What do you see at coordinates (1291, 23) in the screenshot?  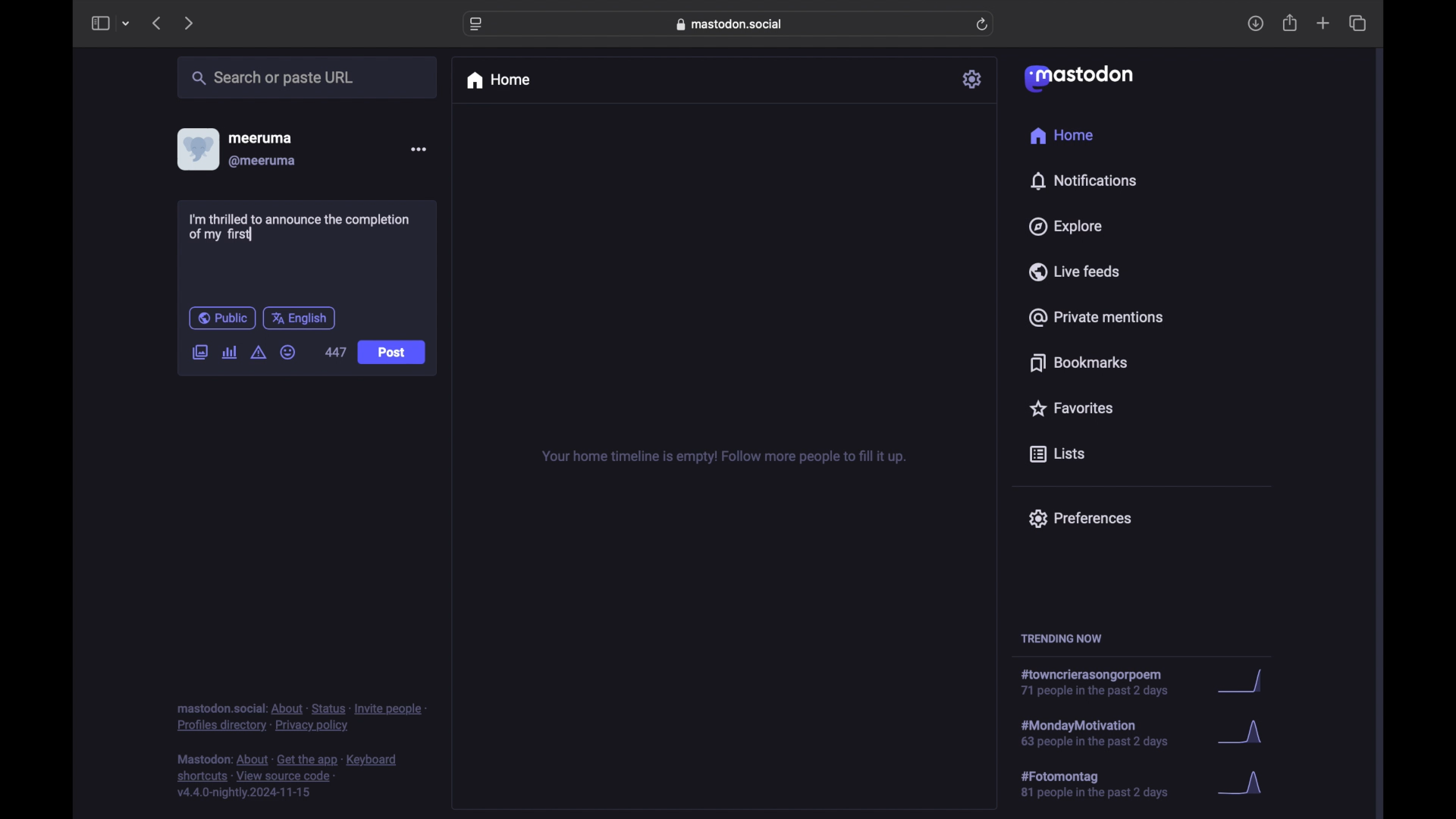 I see `share` at bounding box center [1291, 23].